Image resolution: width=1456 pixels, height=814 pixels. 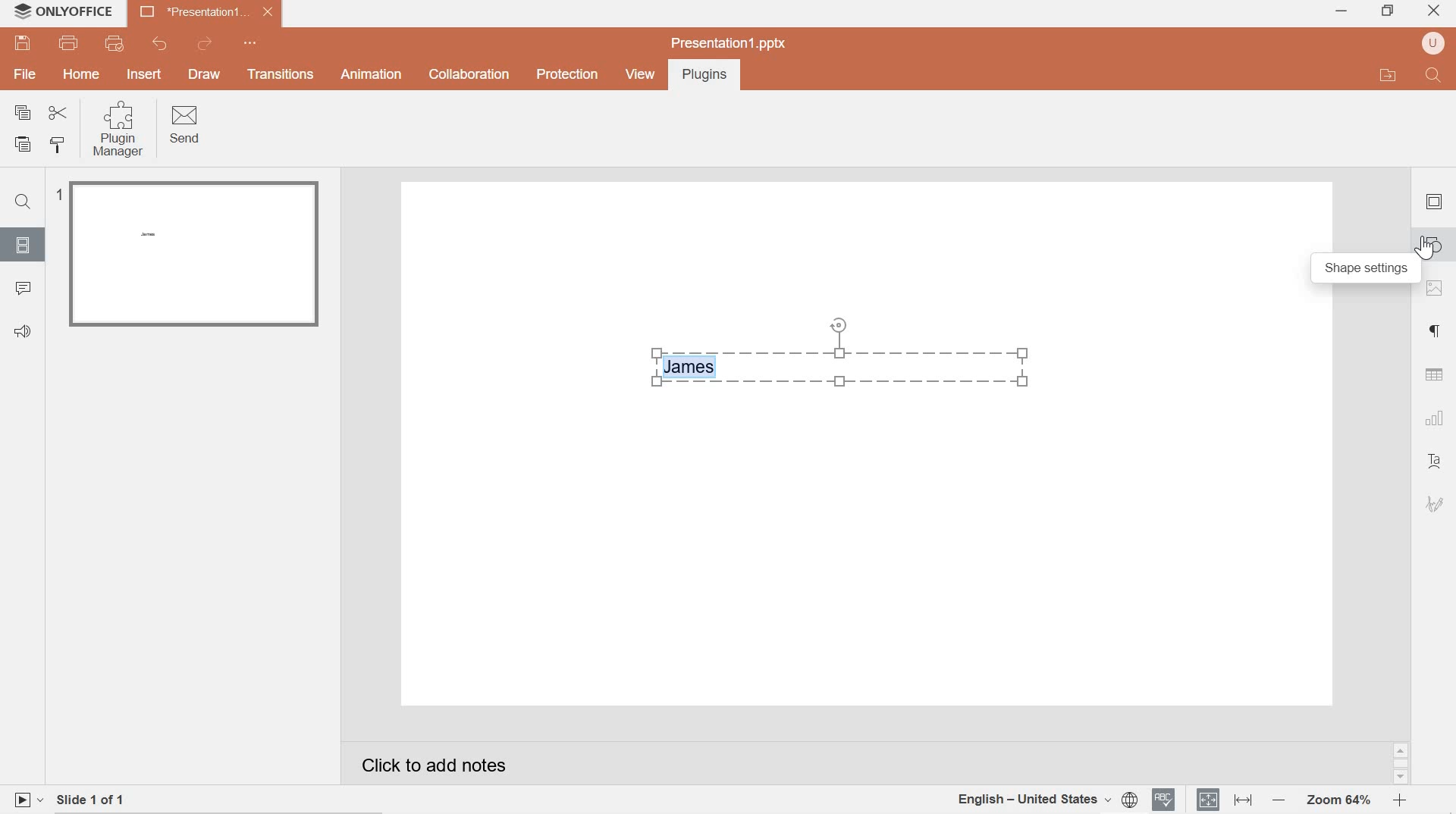 What do you see at coordinates (1400, 764) in the screenshot?
I see `scrollbar` at bounding box center [1400, 764].